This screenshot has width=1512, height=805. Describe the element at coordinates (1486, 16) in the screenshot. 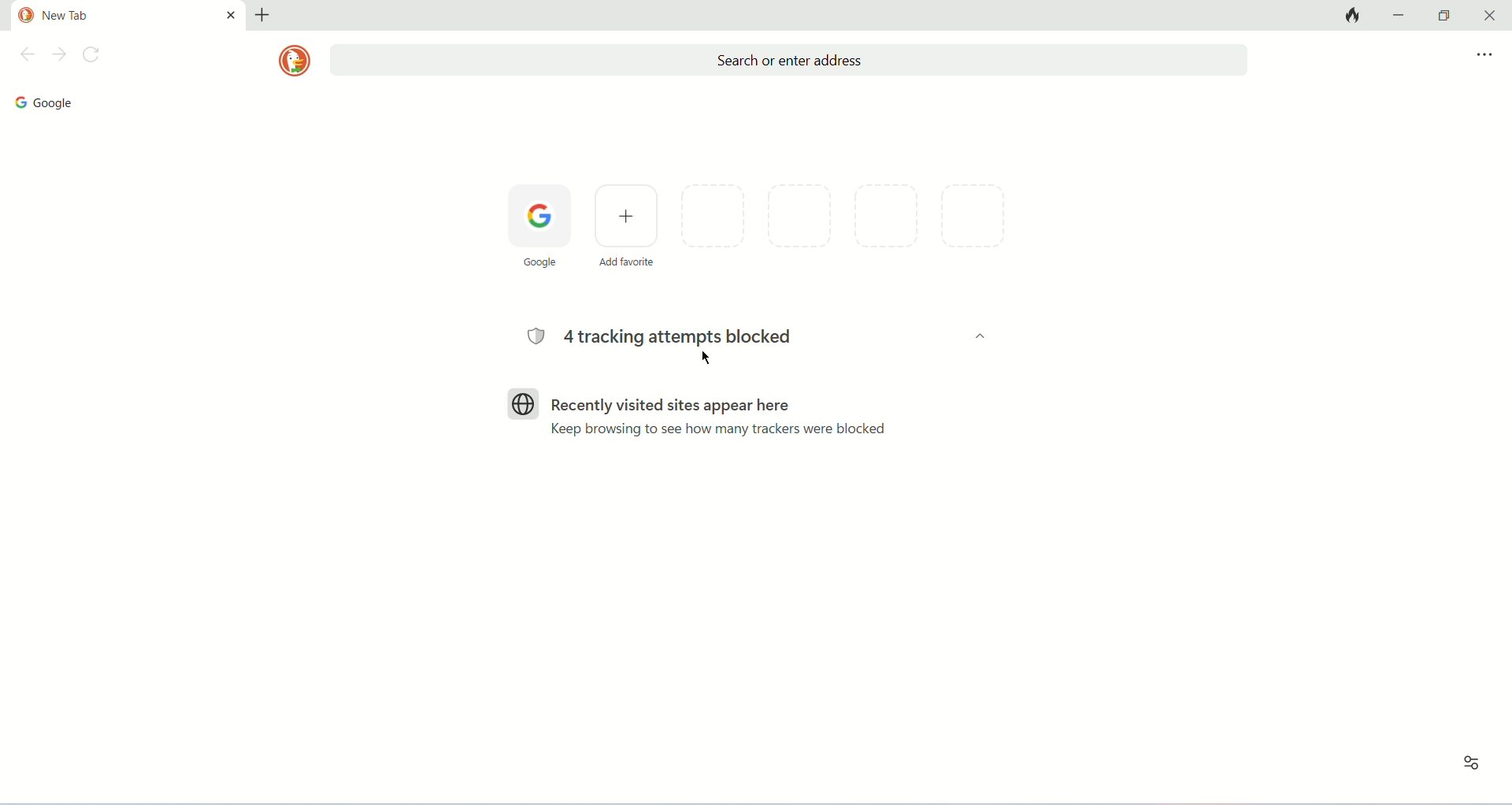

I see `close` at that location.